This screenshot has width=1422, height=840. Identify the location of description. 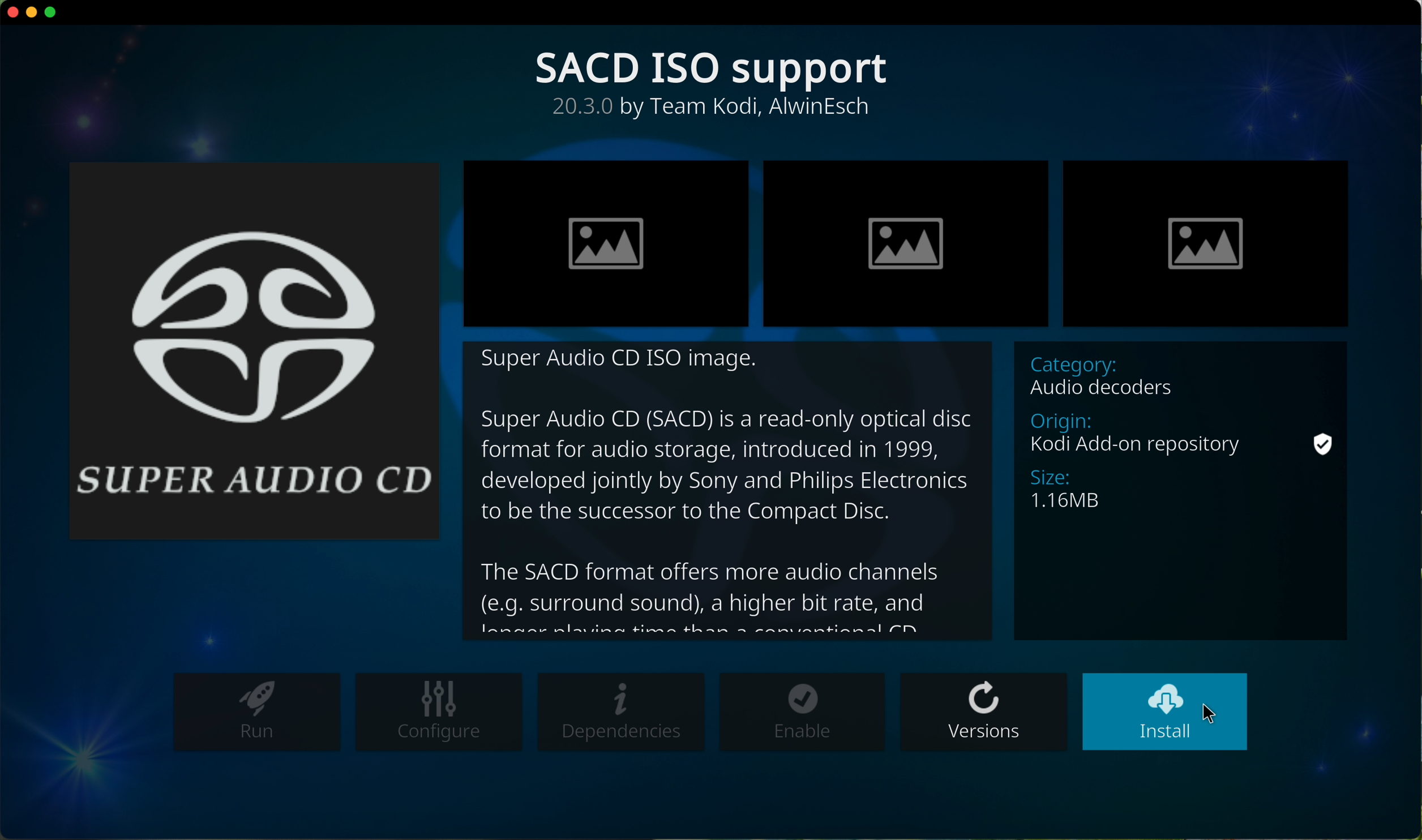
(1187, 490).